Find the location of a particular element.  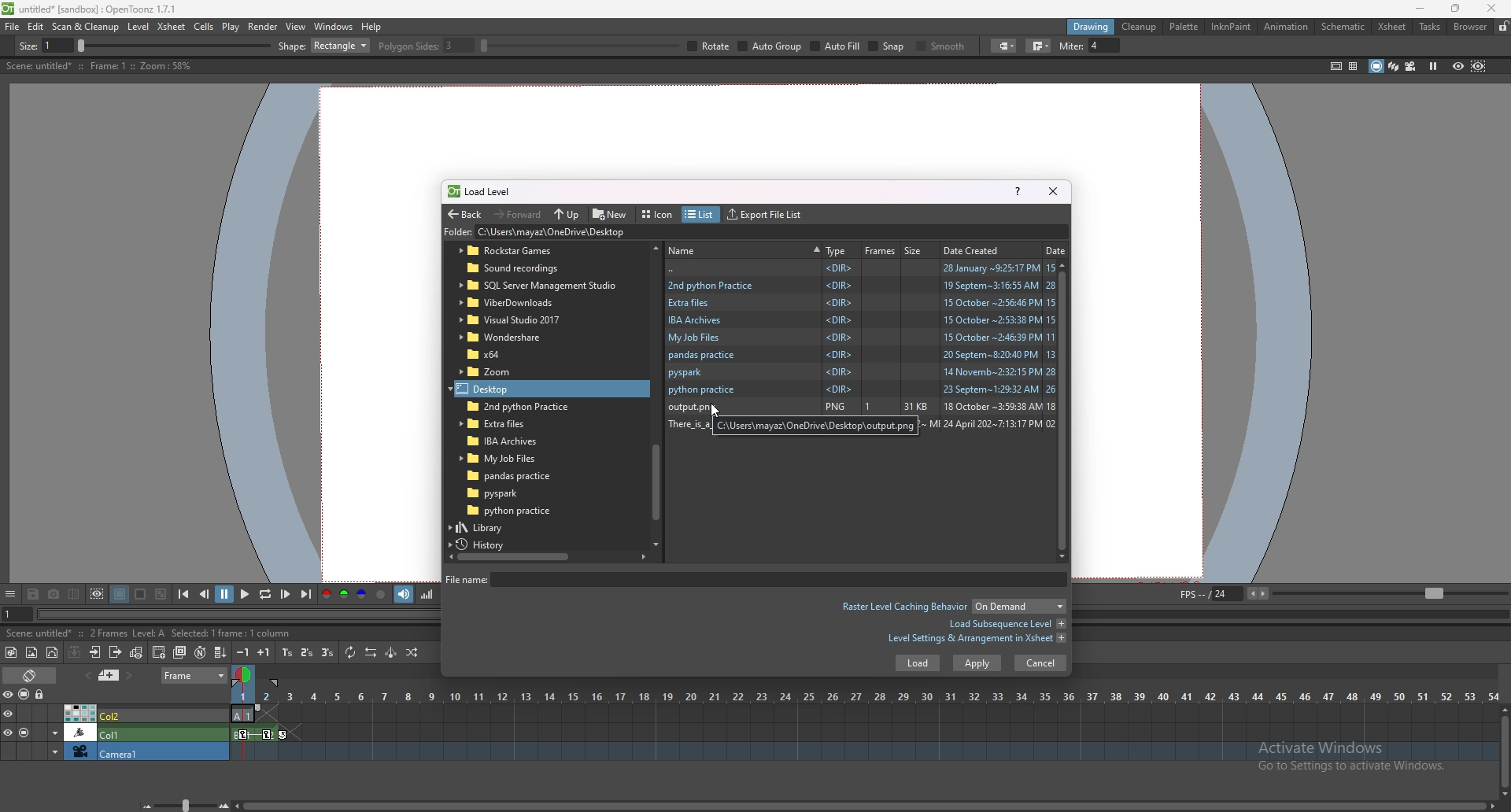

scan and cleanup is located at coordinates (85, 27).